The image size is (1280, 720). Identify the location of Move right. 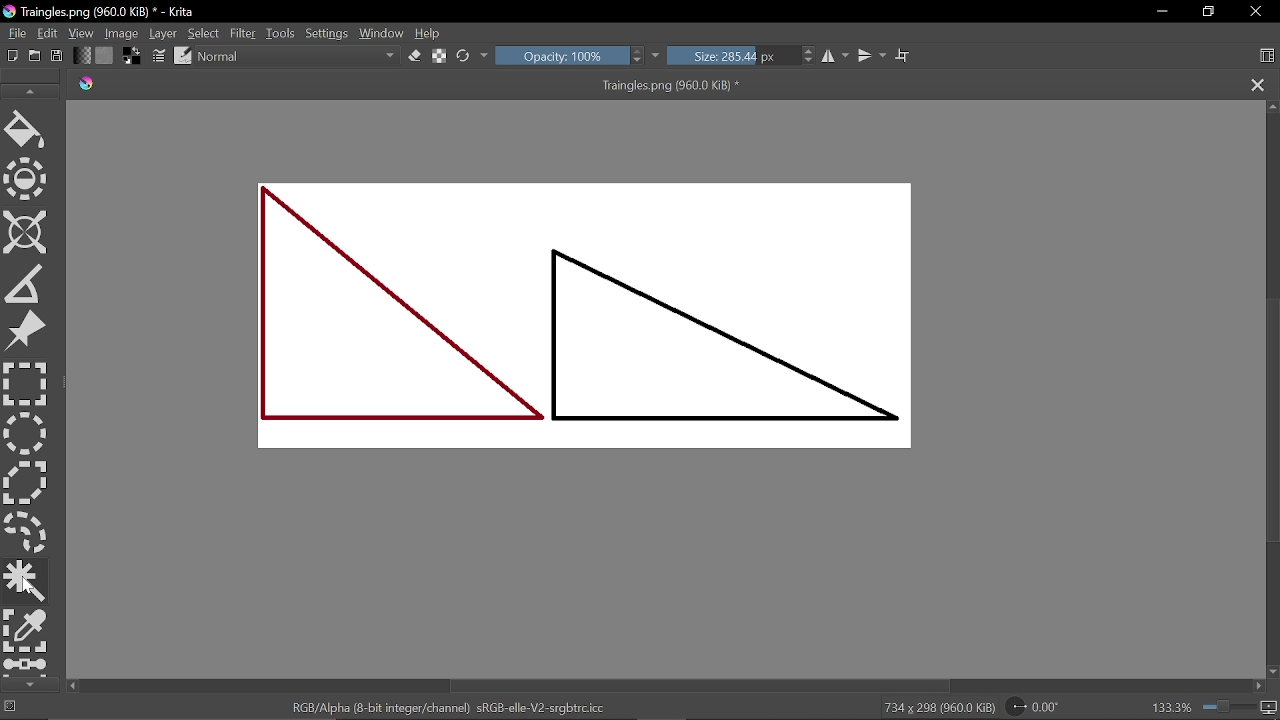
(1258, 685).